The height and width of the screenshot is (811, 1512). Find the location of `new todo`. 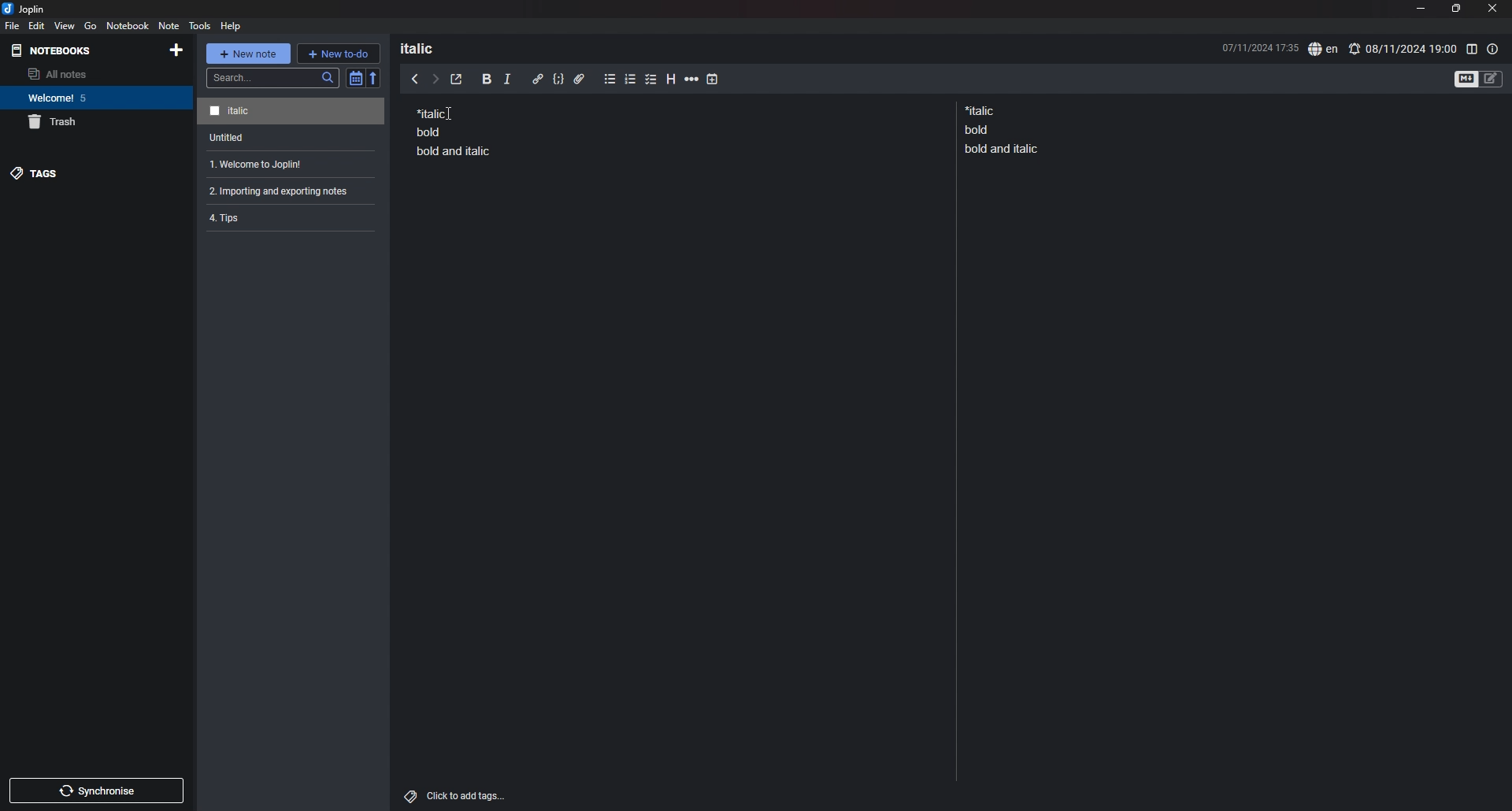

new todo is located at coordinates (338, 53).